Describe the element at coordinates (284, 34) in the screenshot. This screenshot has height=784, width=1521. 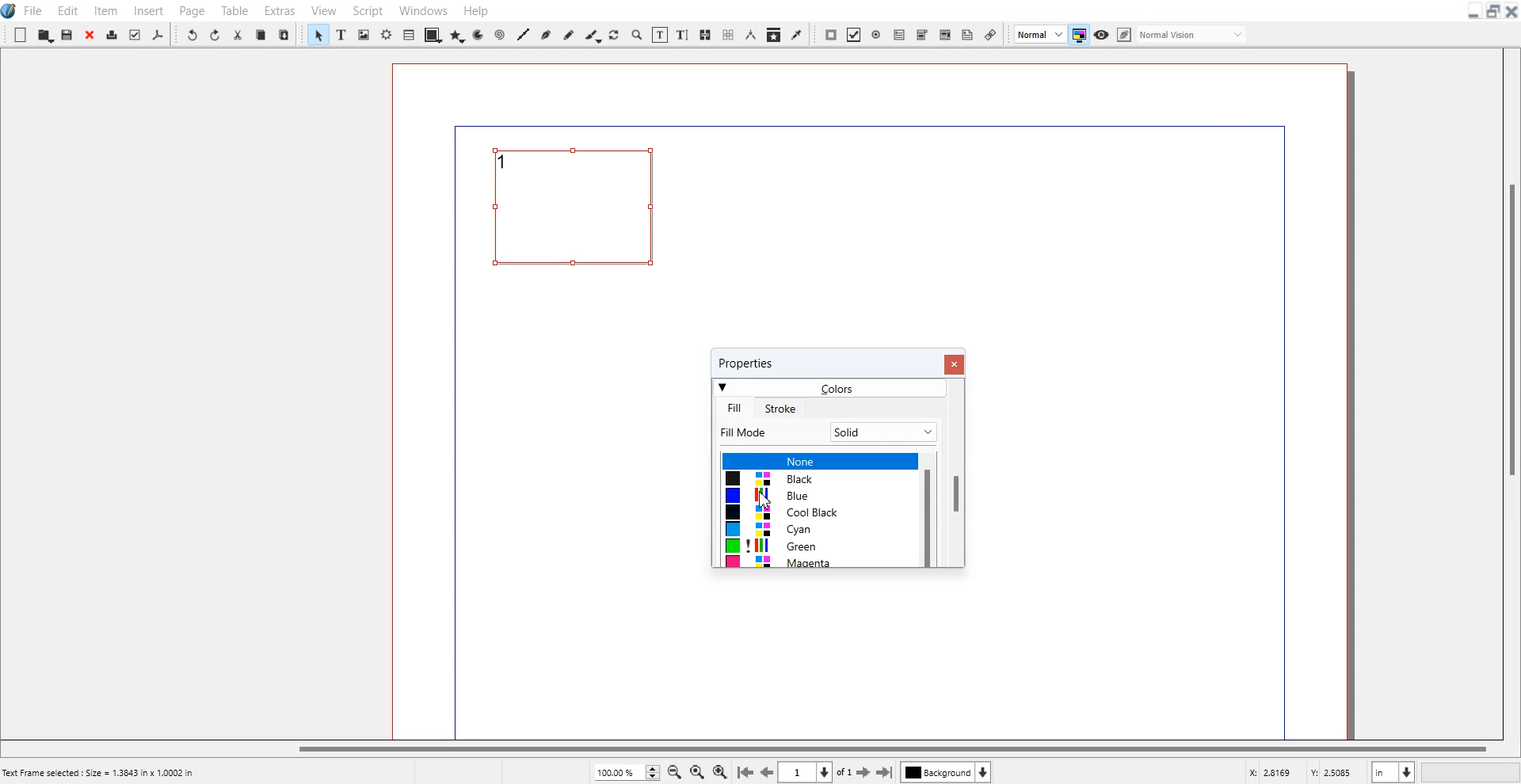
I see `Paste` at that location.